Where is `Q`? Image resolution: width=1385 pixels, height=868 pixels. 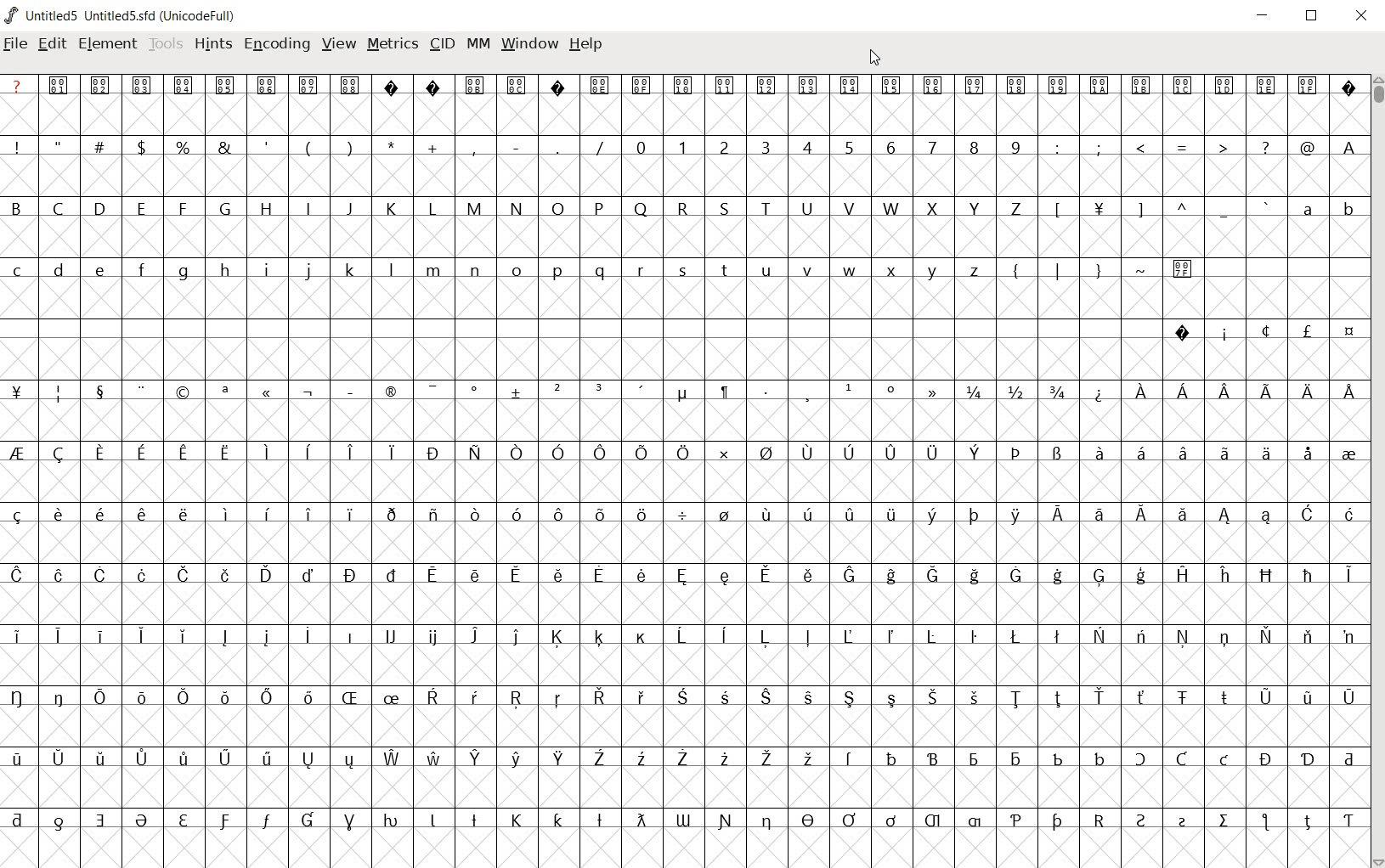
Q is located at coordinates (638, 209).